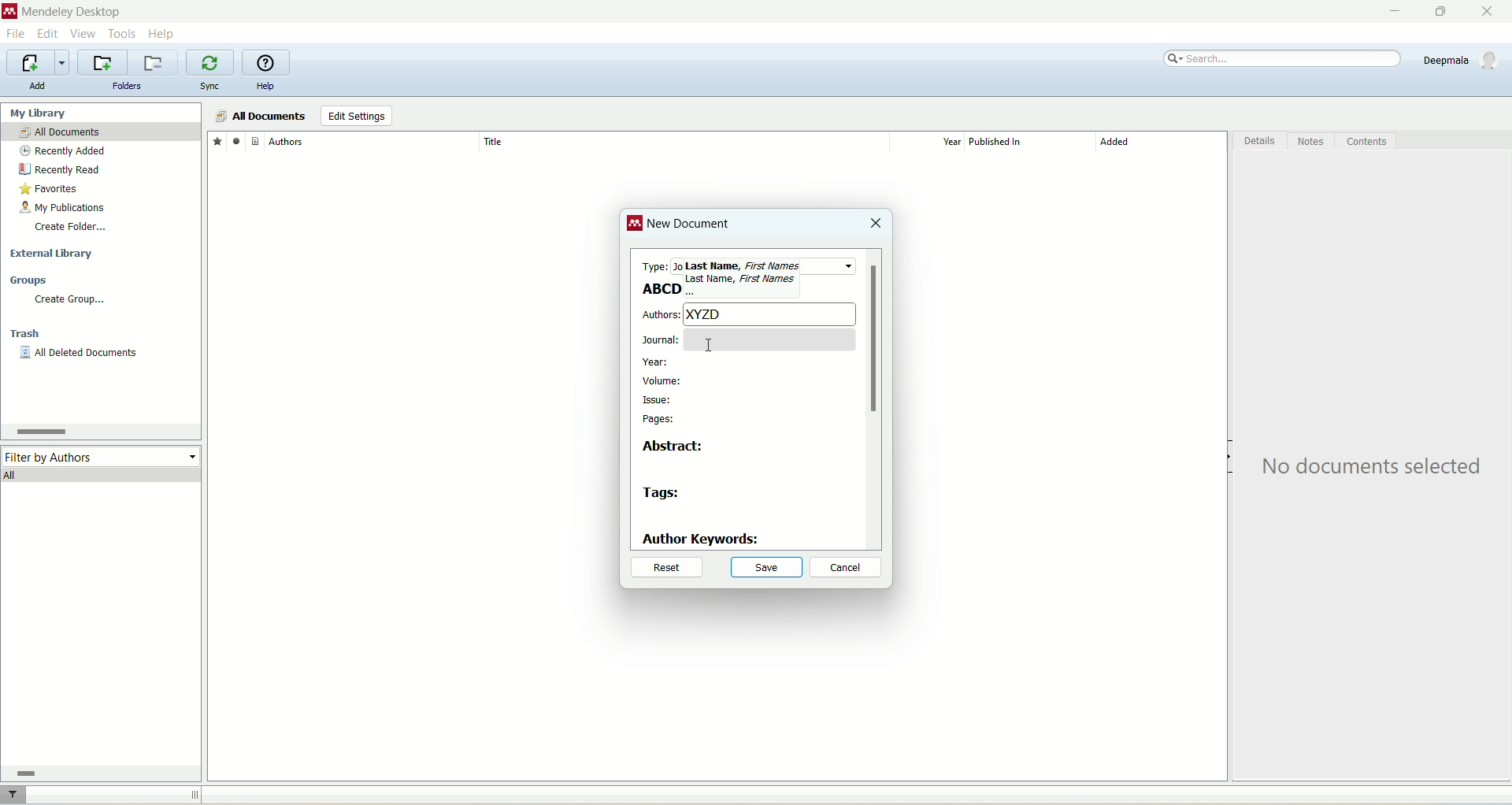 Image resolution: width=1512 pixels, height=805 pixels. What do you see at coordinates (234, 140) in the screenshot?
I see `read/unread` at bounding box center [234, 140].